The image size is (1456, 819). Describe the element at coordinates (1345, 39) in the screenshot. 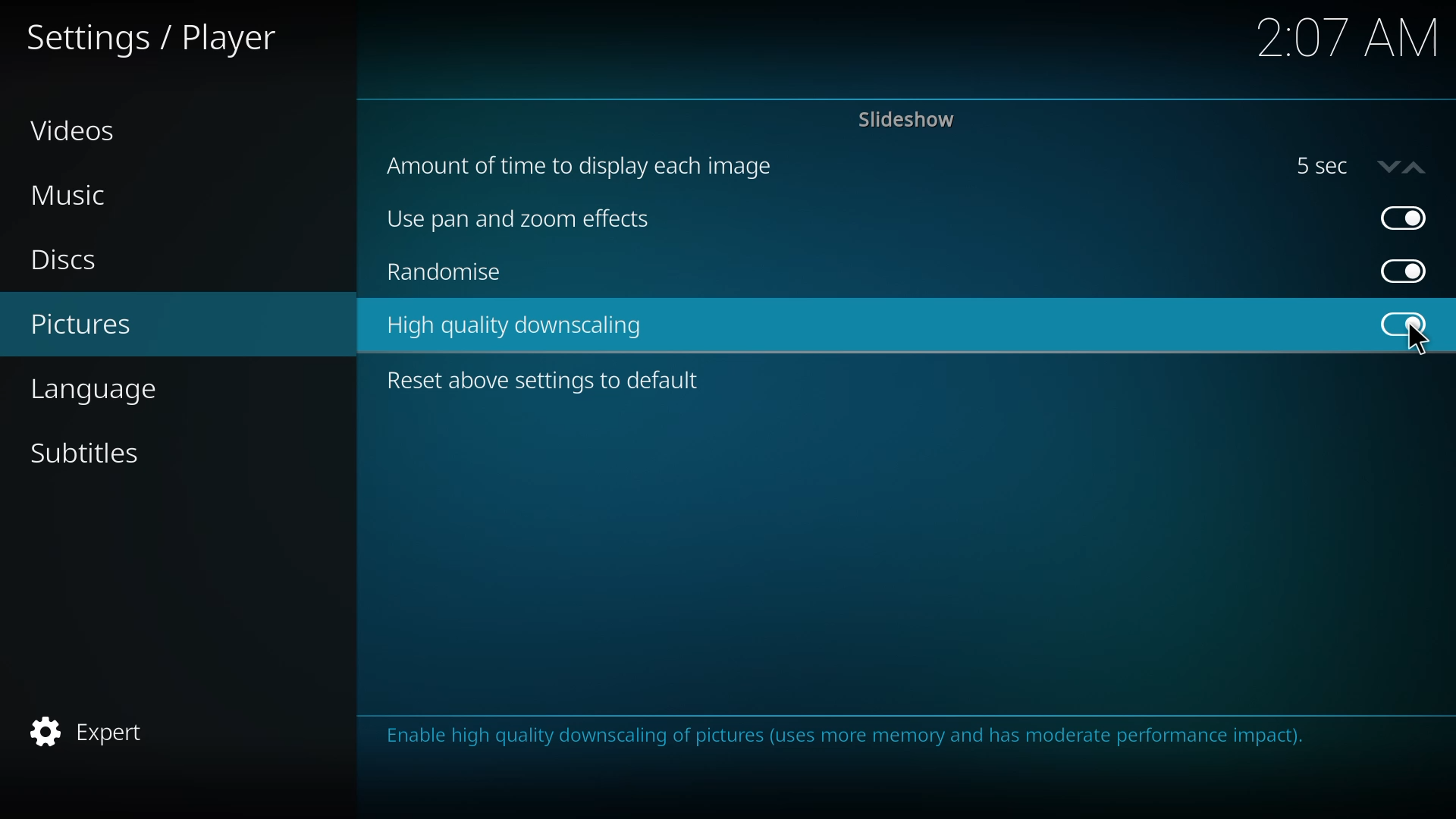

I see `time` at that location.